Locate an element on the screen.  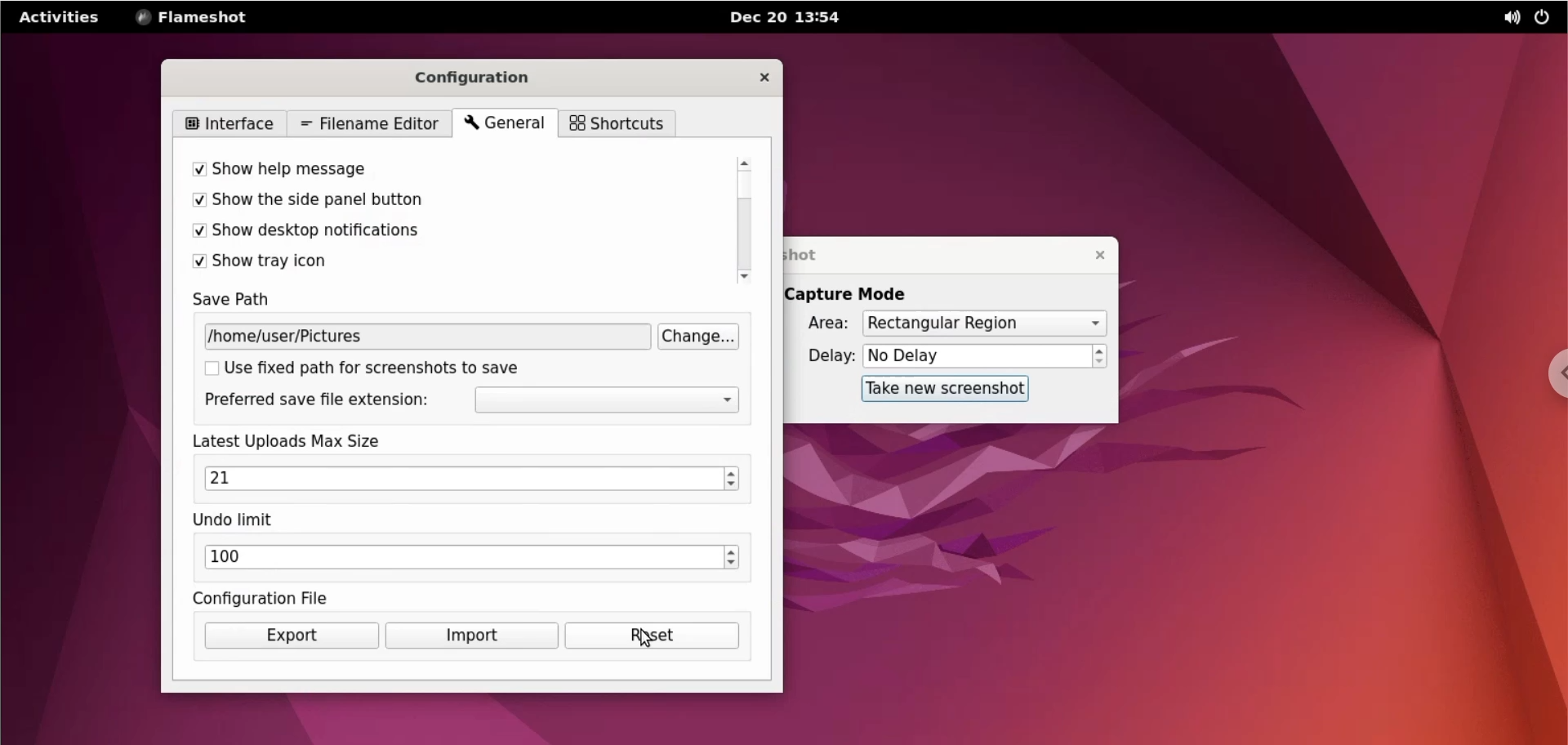
delay: is located at coordinates (822, 355).